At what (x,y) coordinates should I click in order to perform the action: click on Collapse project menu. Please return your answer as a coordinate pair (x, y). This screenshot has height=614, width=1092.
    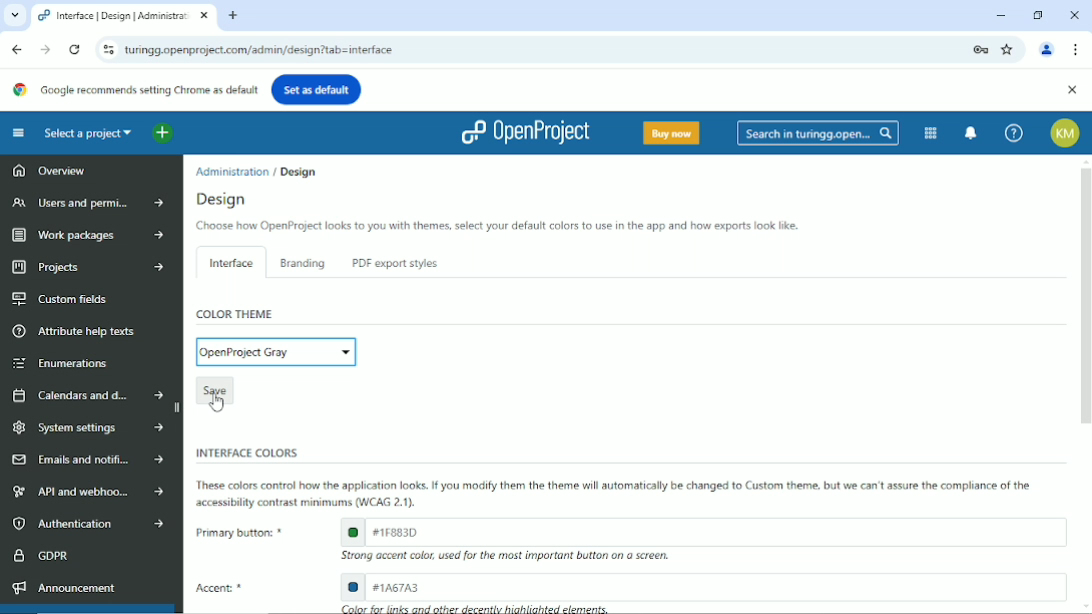
    Looking at the image, I should click on (18, 133).